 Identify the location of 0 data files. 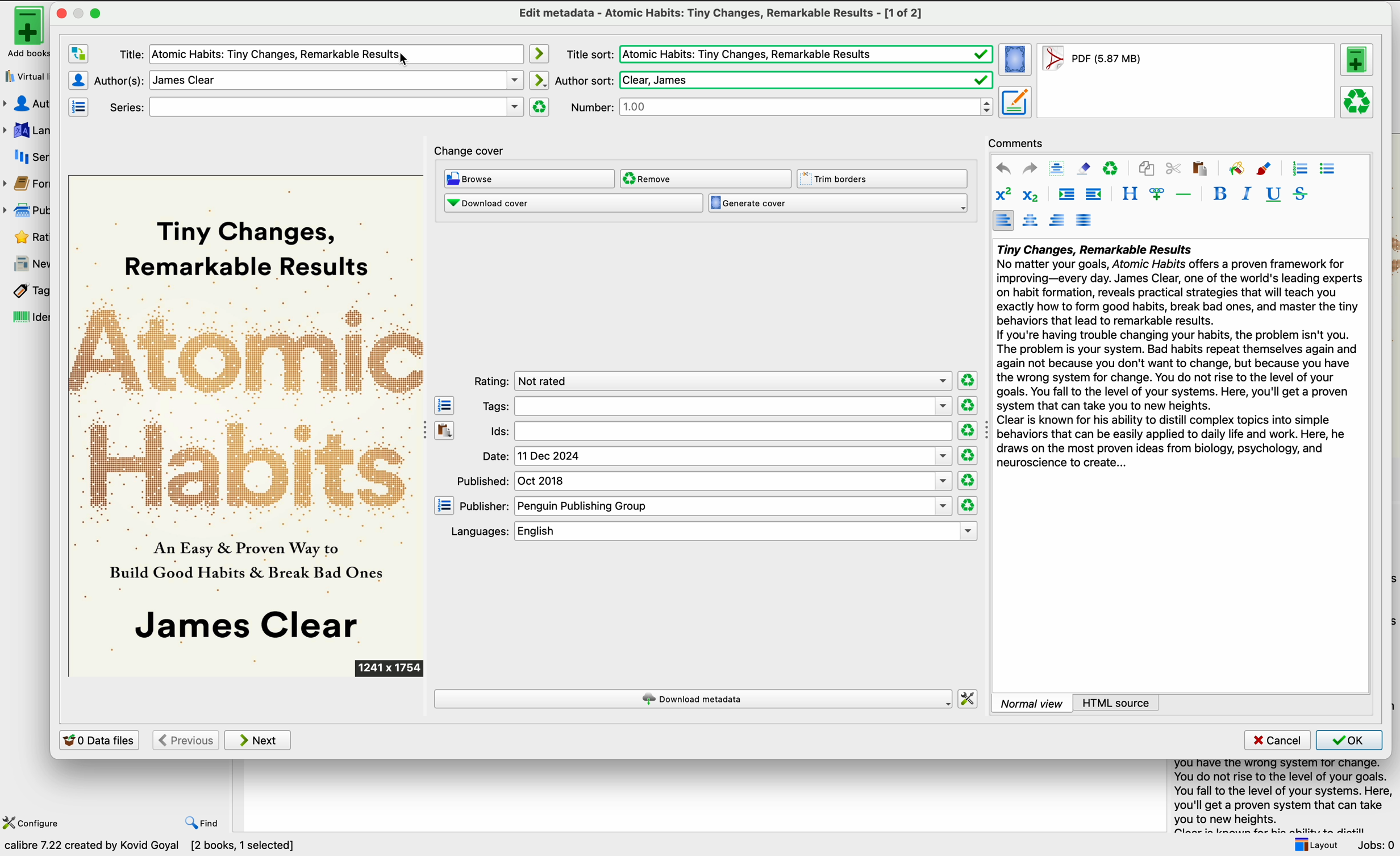
(99, 739).